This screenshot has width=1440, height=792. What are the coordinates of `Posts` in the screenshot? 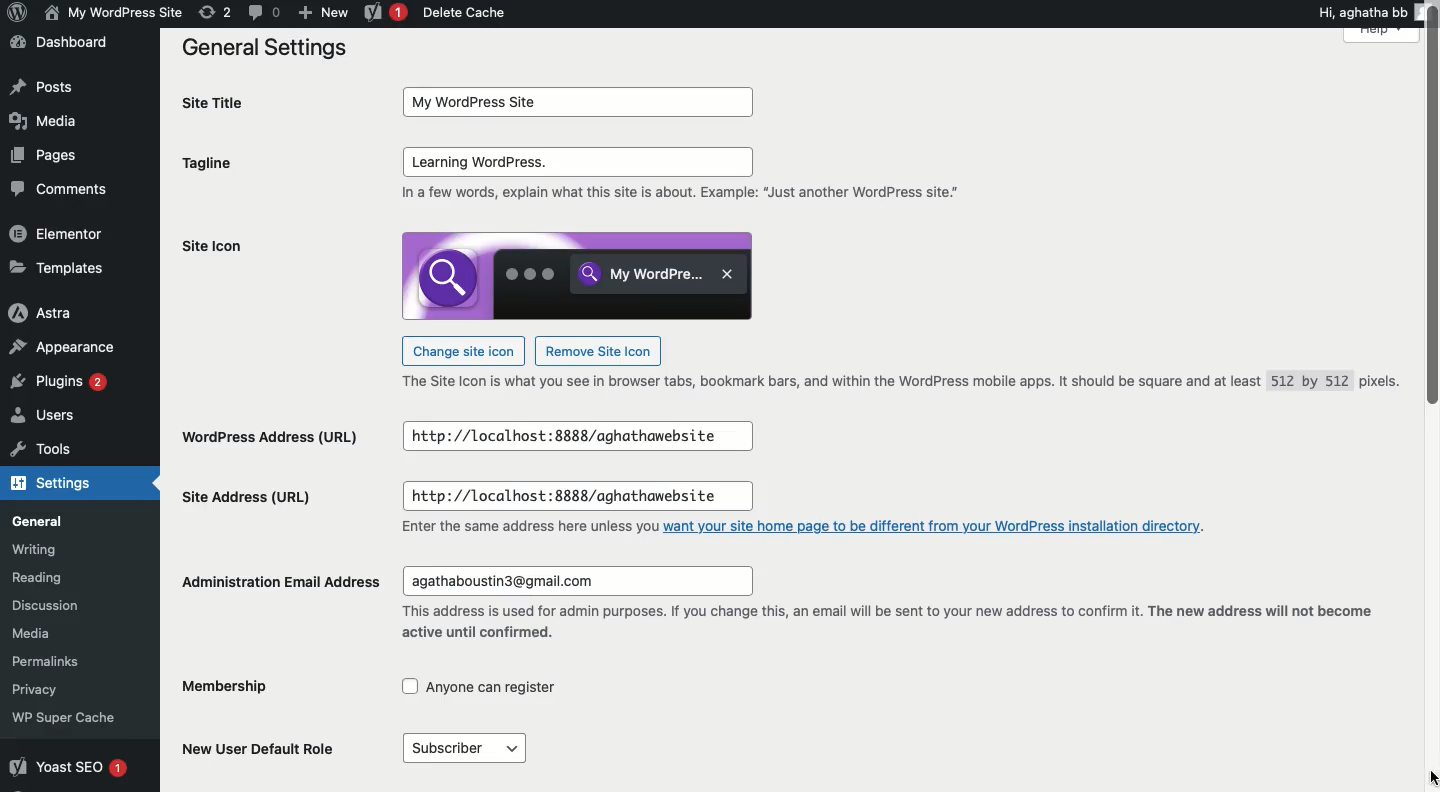 It's located at (44, 89).